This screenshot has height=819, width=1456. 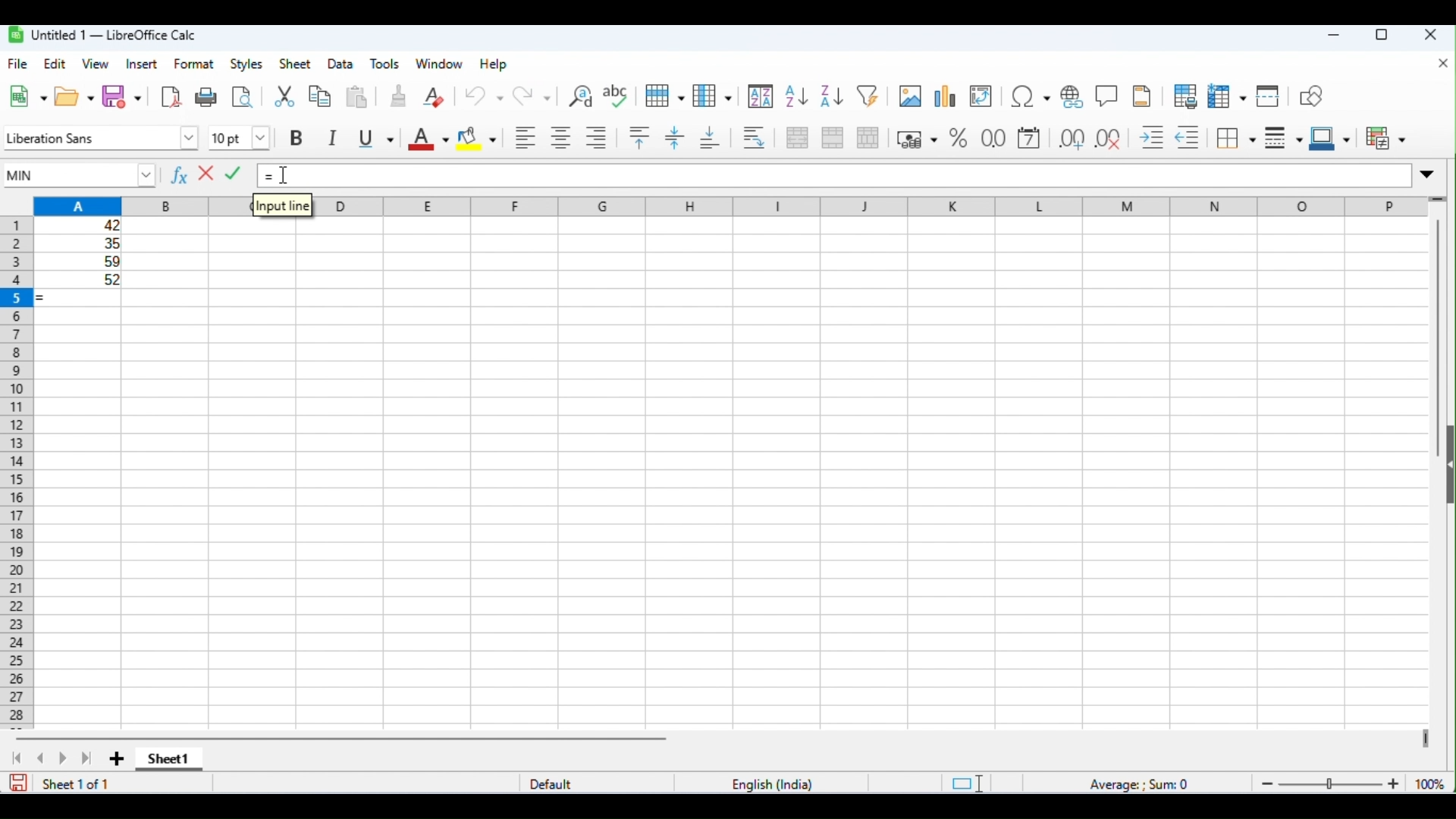 What do you see at coordinates (74, 97) in the screenshot?
I see `open` at bounding box center [74, 97].